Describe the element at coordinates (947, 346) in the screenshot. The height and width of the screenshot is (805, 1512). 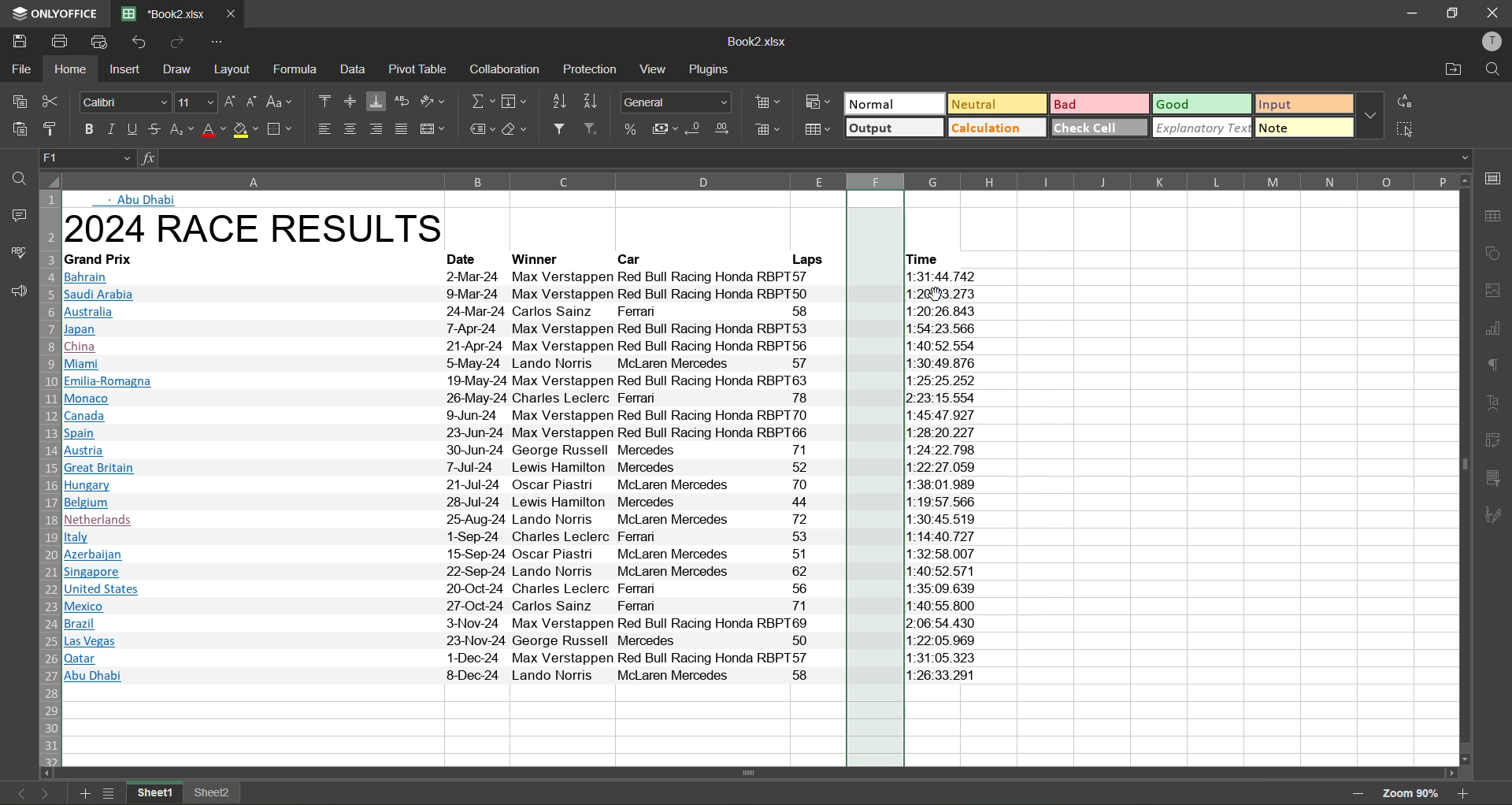
I see `11:40:52.554` at that location.